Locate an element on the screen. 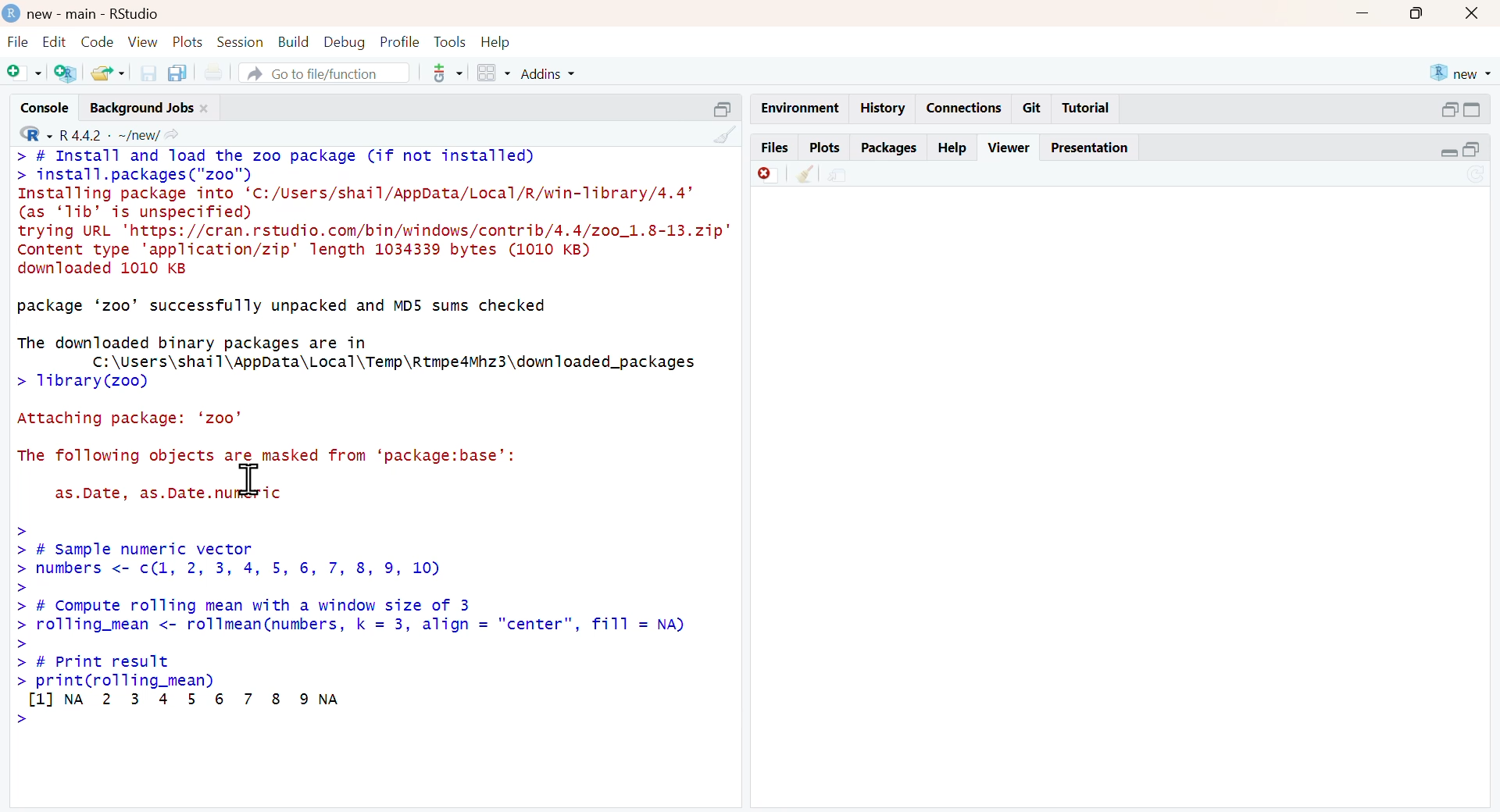 The image size is (1500, 812). new - main - RStudio is located at coordinates (94, 15).